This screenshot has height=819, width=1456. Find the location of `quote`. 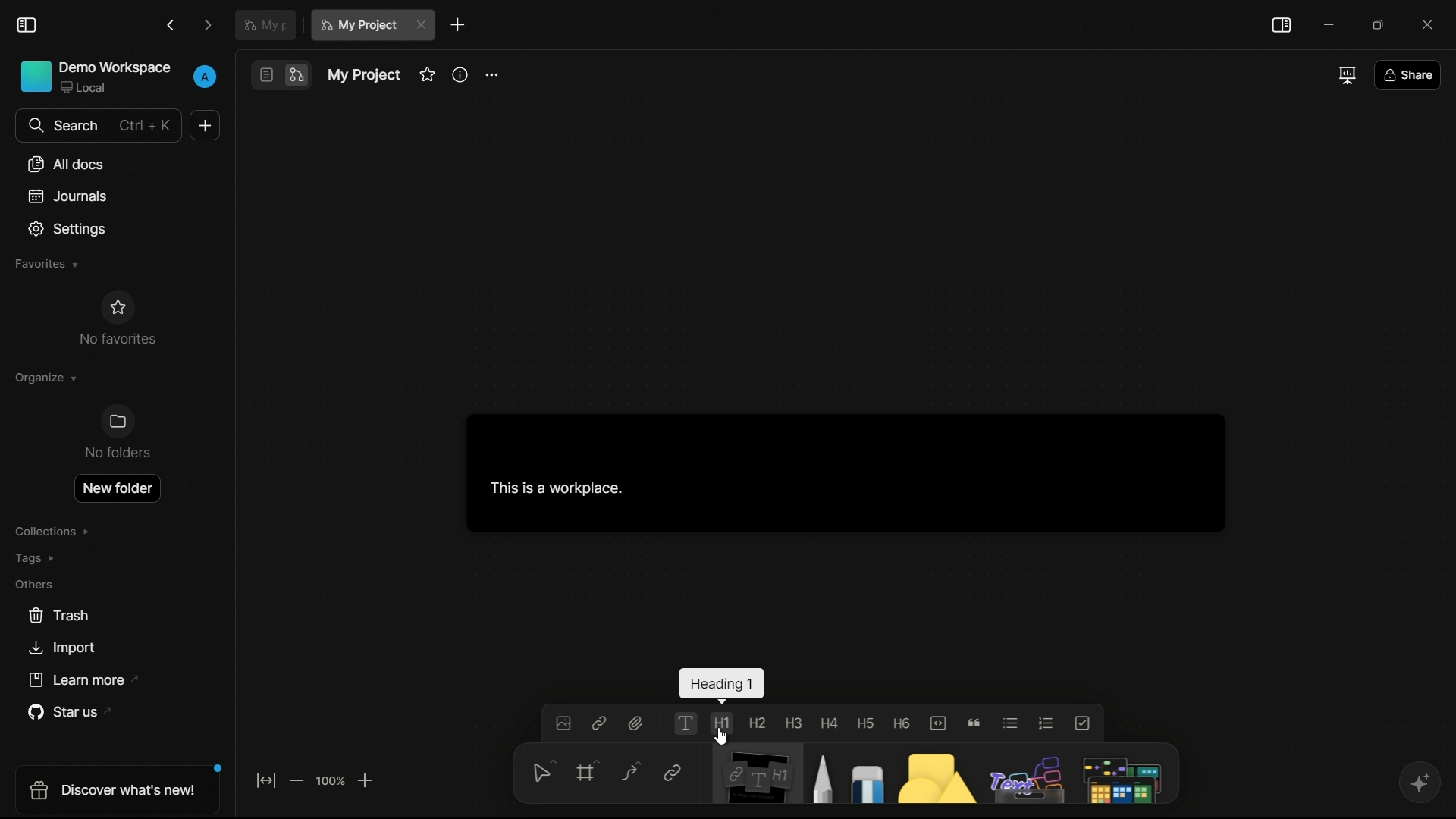

quote is located at coordinates (974, 723).